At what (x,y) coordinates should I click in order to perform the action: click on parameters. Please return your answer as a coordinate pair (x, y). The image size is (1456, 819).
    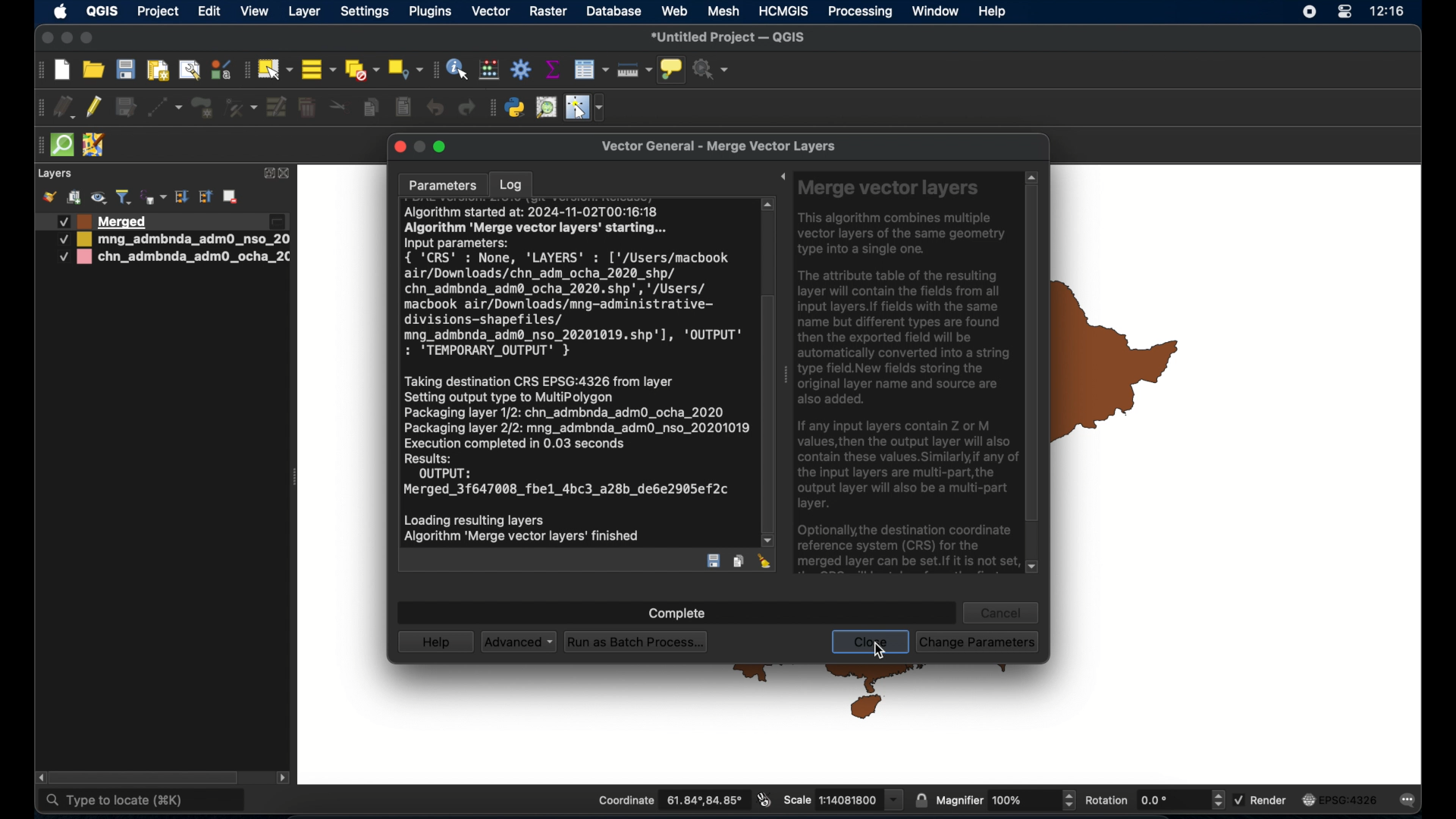
    Looking at the image, I should click on (443, 184).